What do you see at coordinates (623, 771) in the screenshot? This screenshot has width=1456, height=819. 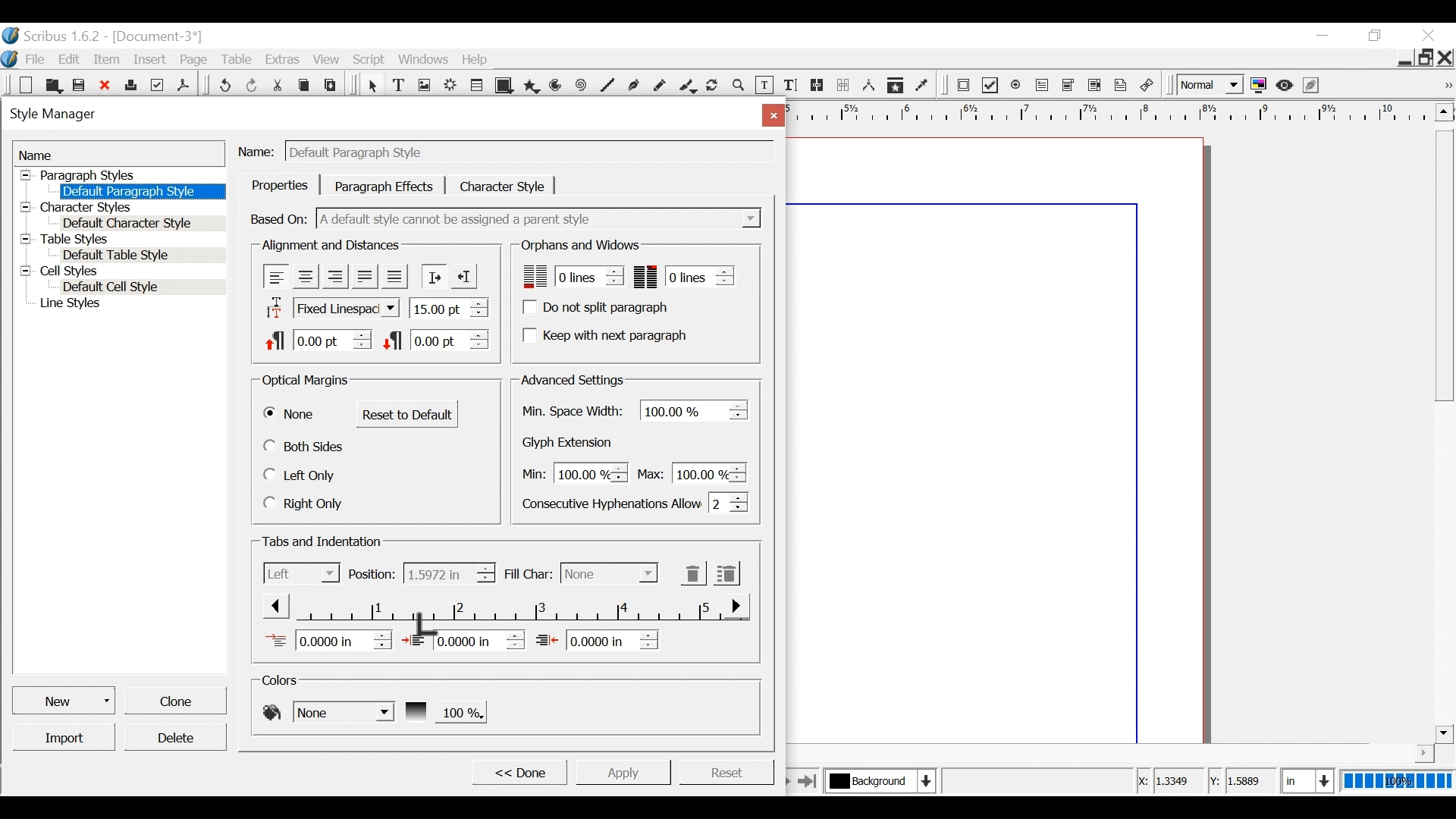 I see `Apply` at bounding box center [623, 771].